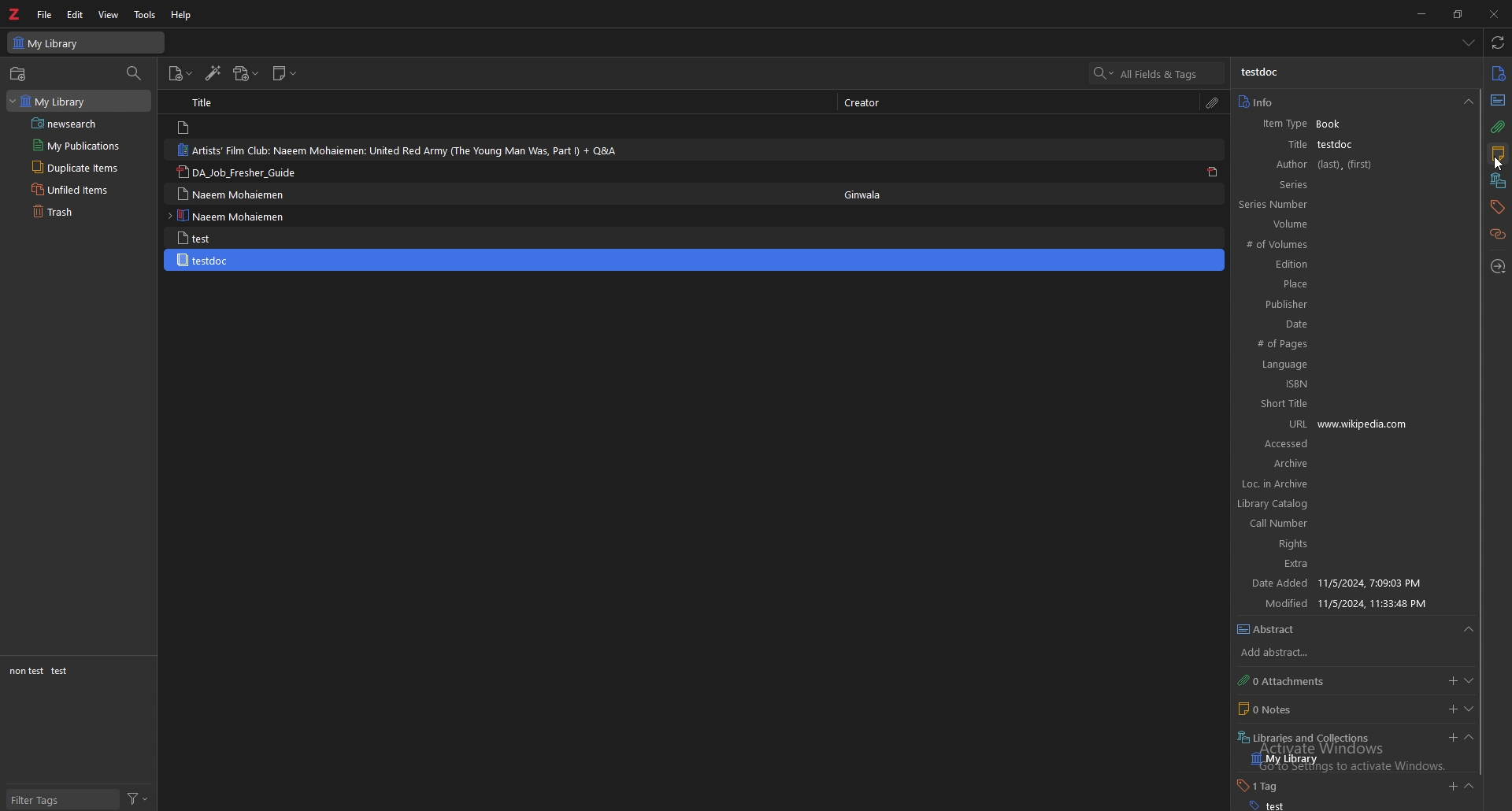 This screenshot has width=1512, height=811. Describe the element at coordinates (1323, 145) in the screenshot. I see `title    testdoc` at that location.